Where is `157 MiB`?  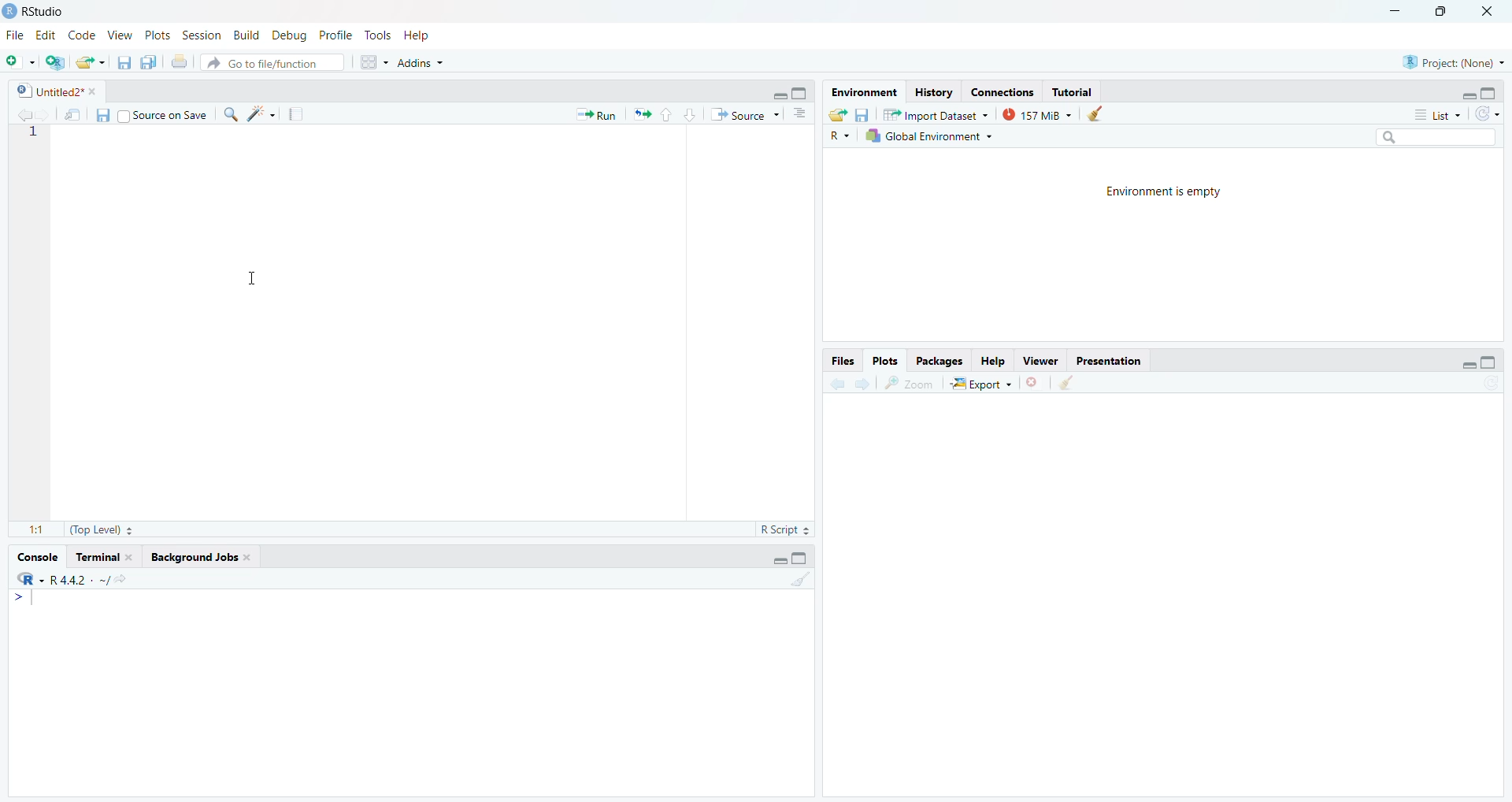
157 MiB is located at coordinates (1036, 114).